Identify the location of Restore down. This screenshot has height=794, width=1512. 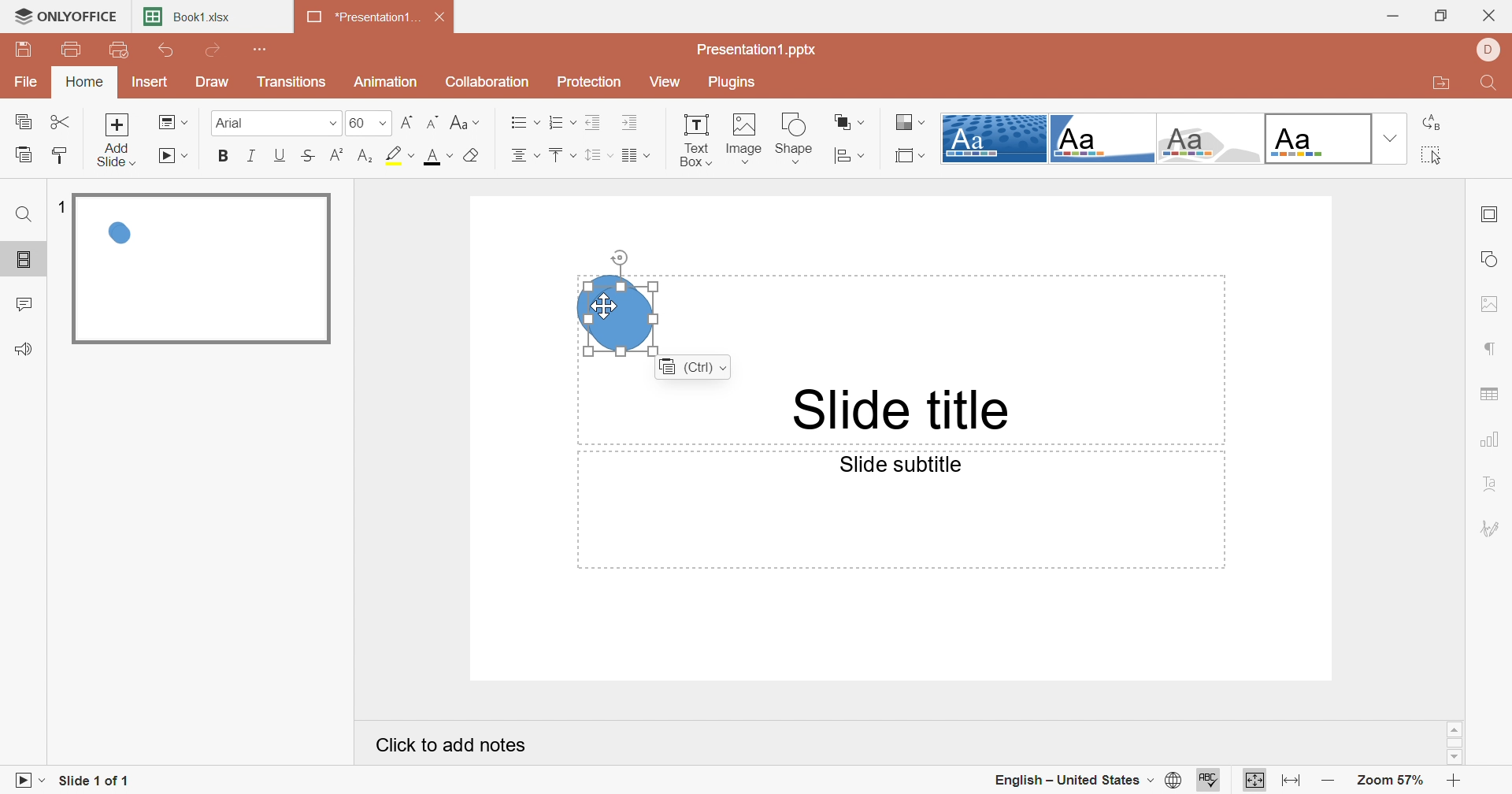
(1444, 15).